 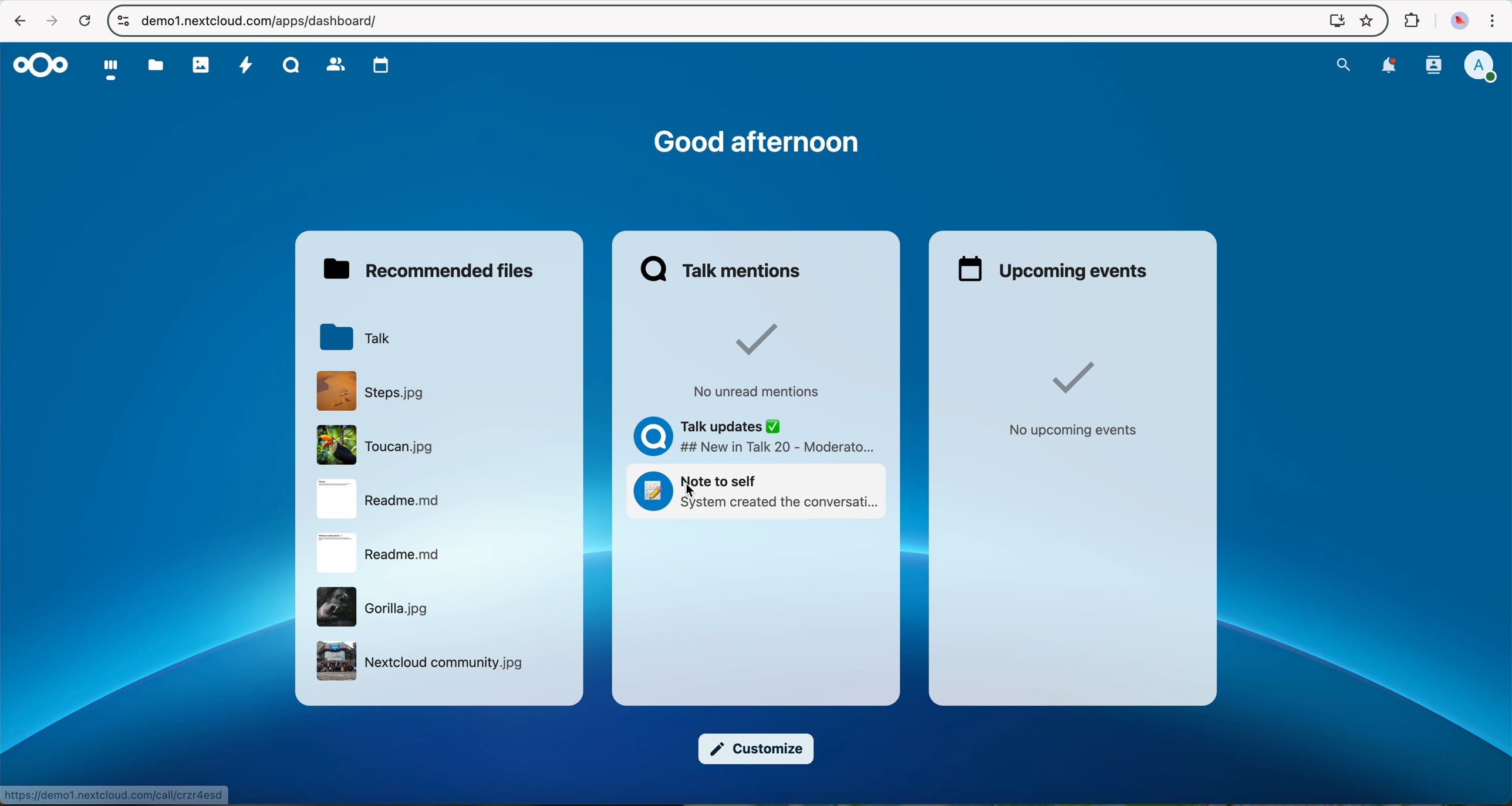 What do you see at coordinates (377, 606) in the screenshot?
I see `file` at bounding box center [377, 606].